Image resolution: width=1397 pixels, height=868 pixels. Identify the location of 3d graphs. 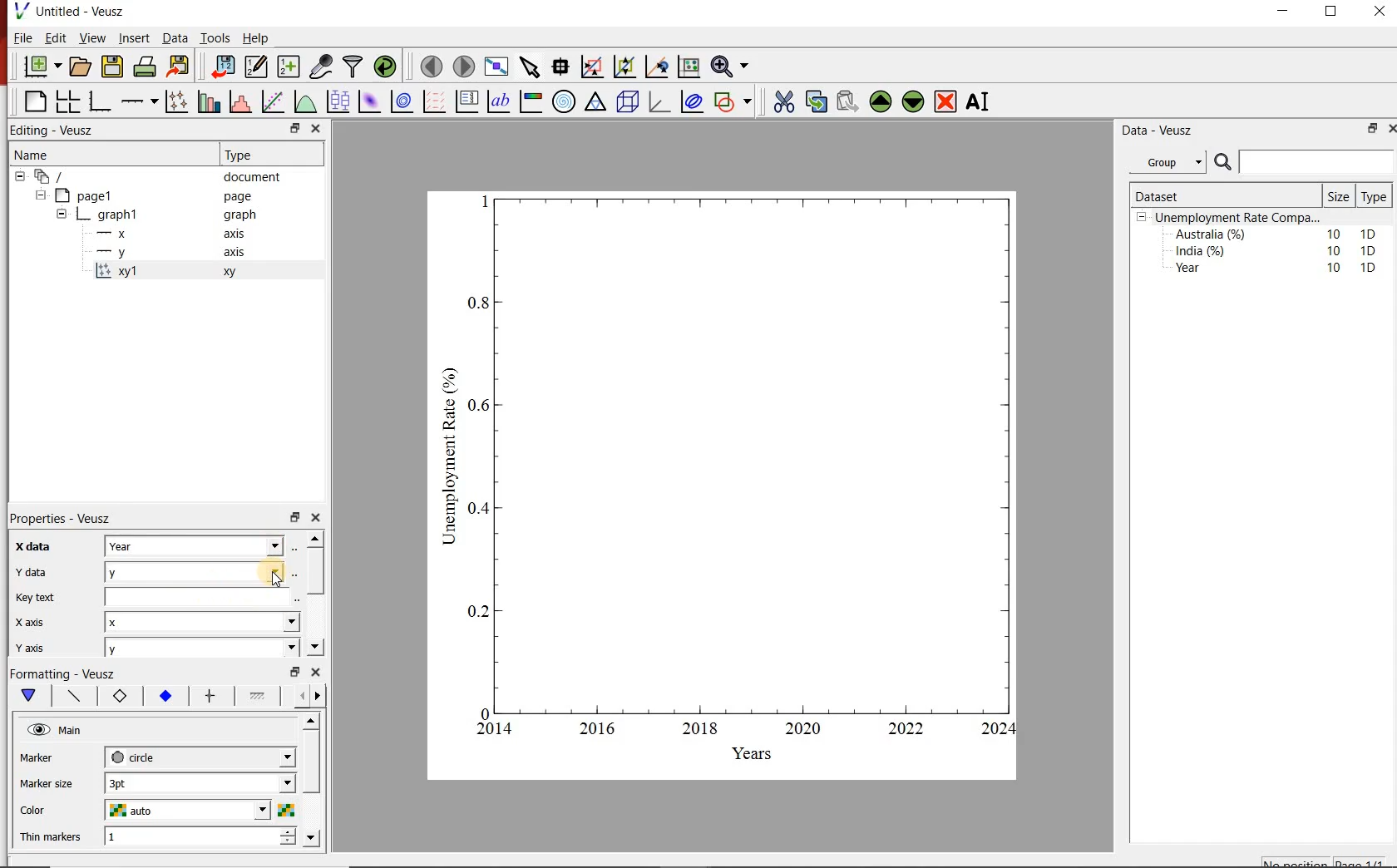
(659, 101).